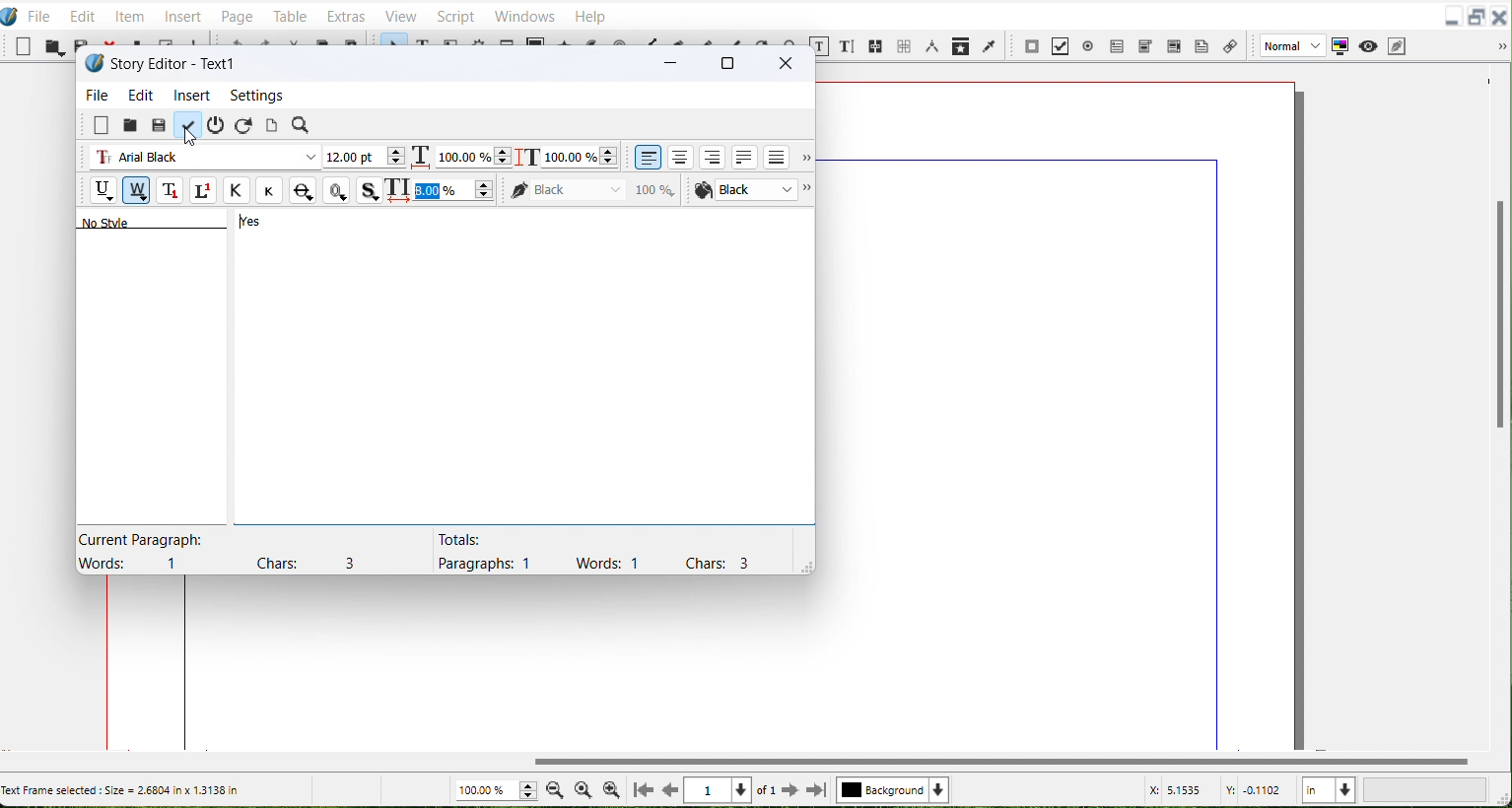  Describe the element at coordinates (237, 15) in the screenshot. I see `Page` at that location.